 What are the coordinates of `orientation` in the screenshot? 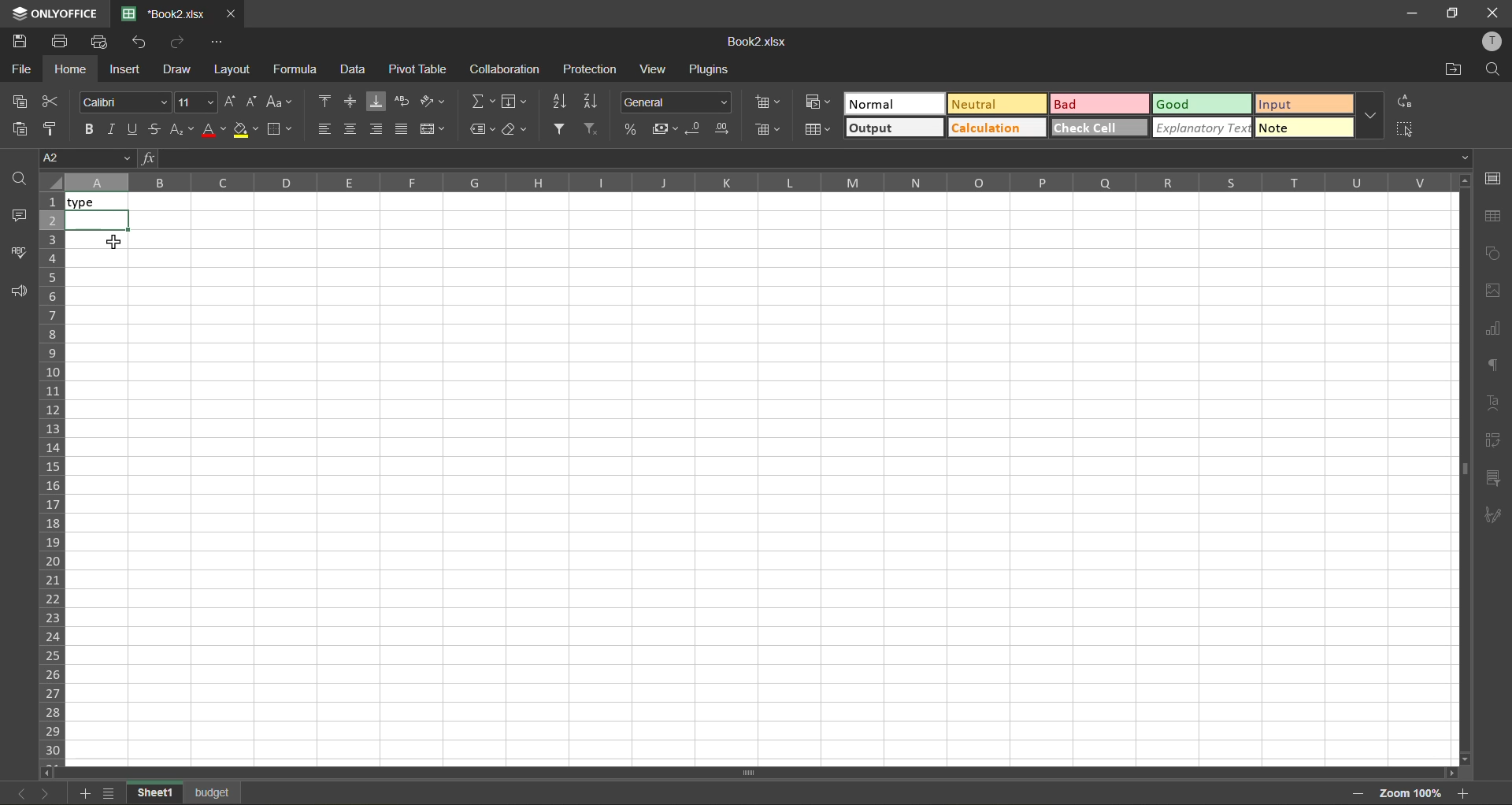 It's located at (433, 101).